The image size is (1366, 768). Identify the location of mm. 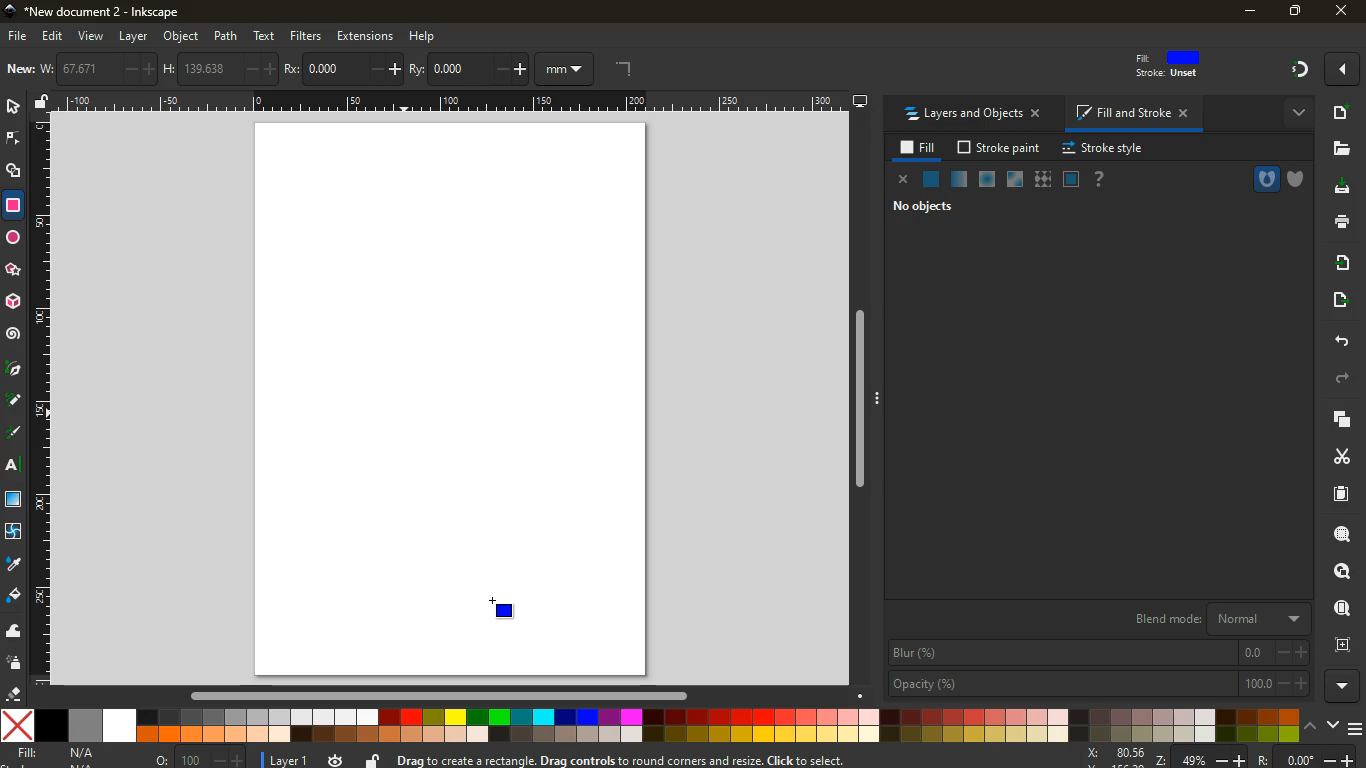
(569, 68).